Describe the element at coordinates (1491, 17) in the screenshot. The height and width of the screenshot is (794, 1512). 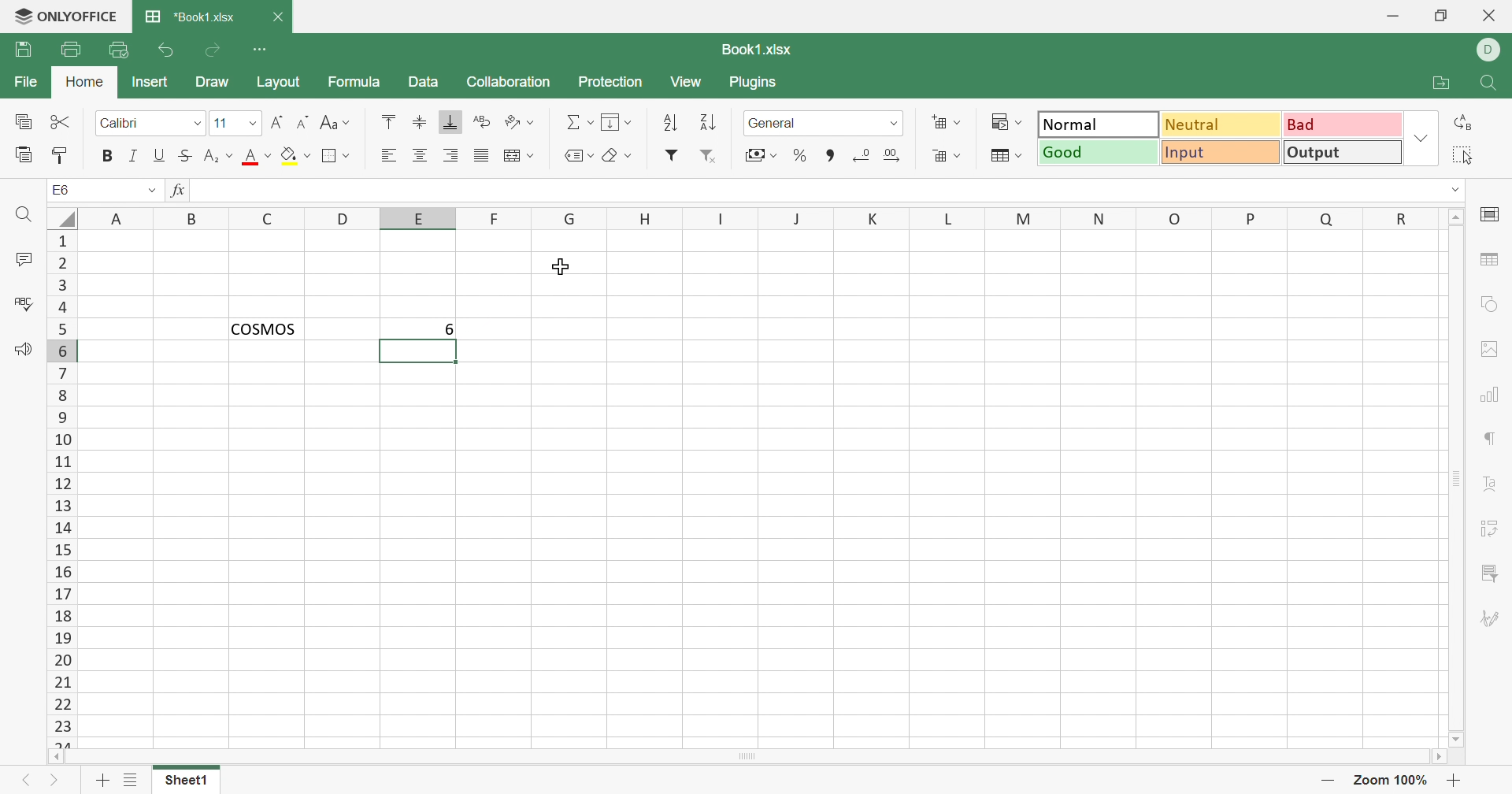
I see `Close` at that location.